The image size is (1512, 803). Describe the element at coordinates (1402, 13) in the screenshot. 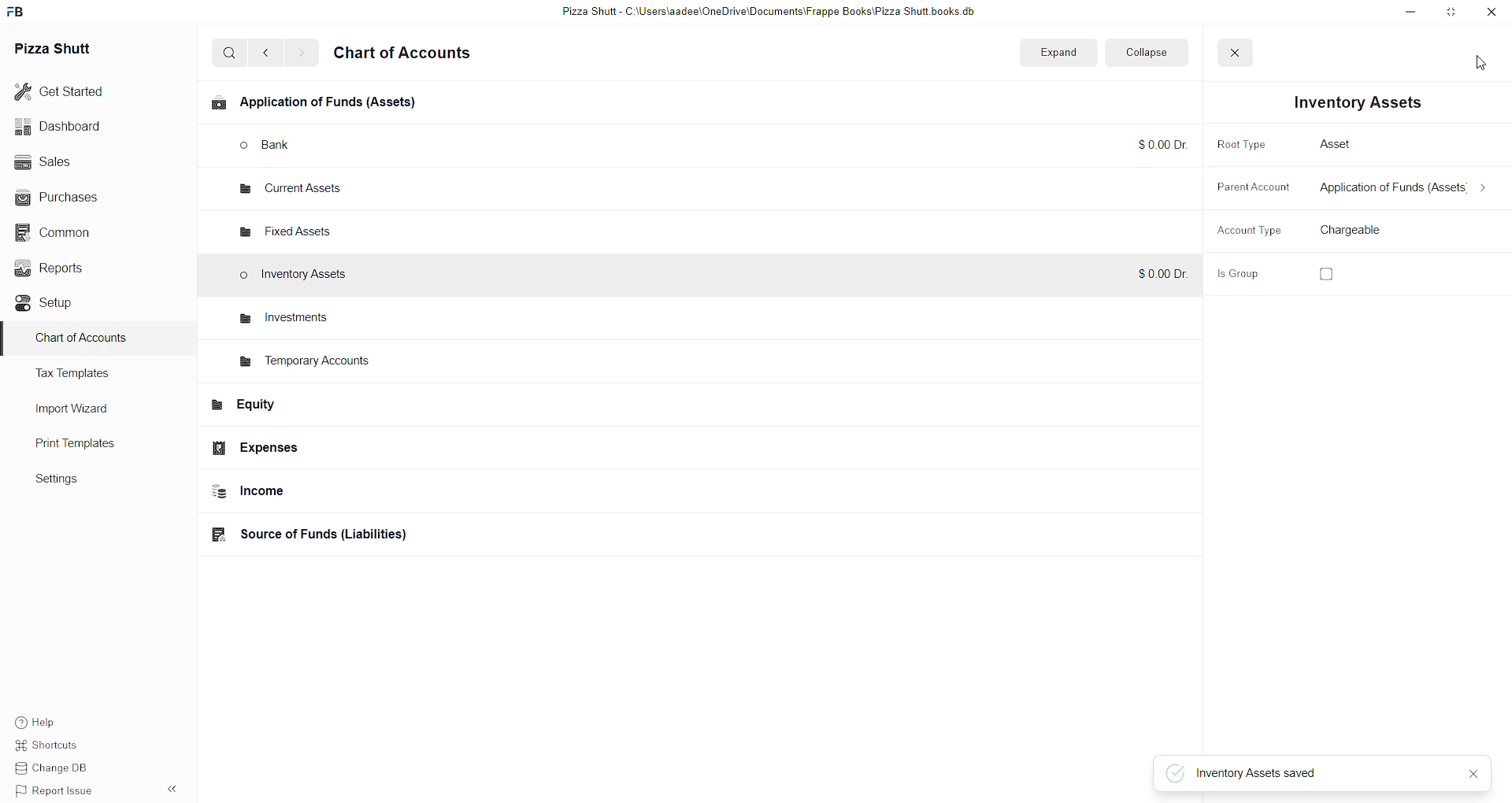

I see `minimize ` at that location.